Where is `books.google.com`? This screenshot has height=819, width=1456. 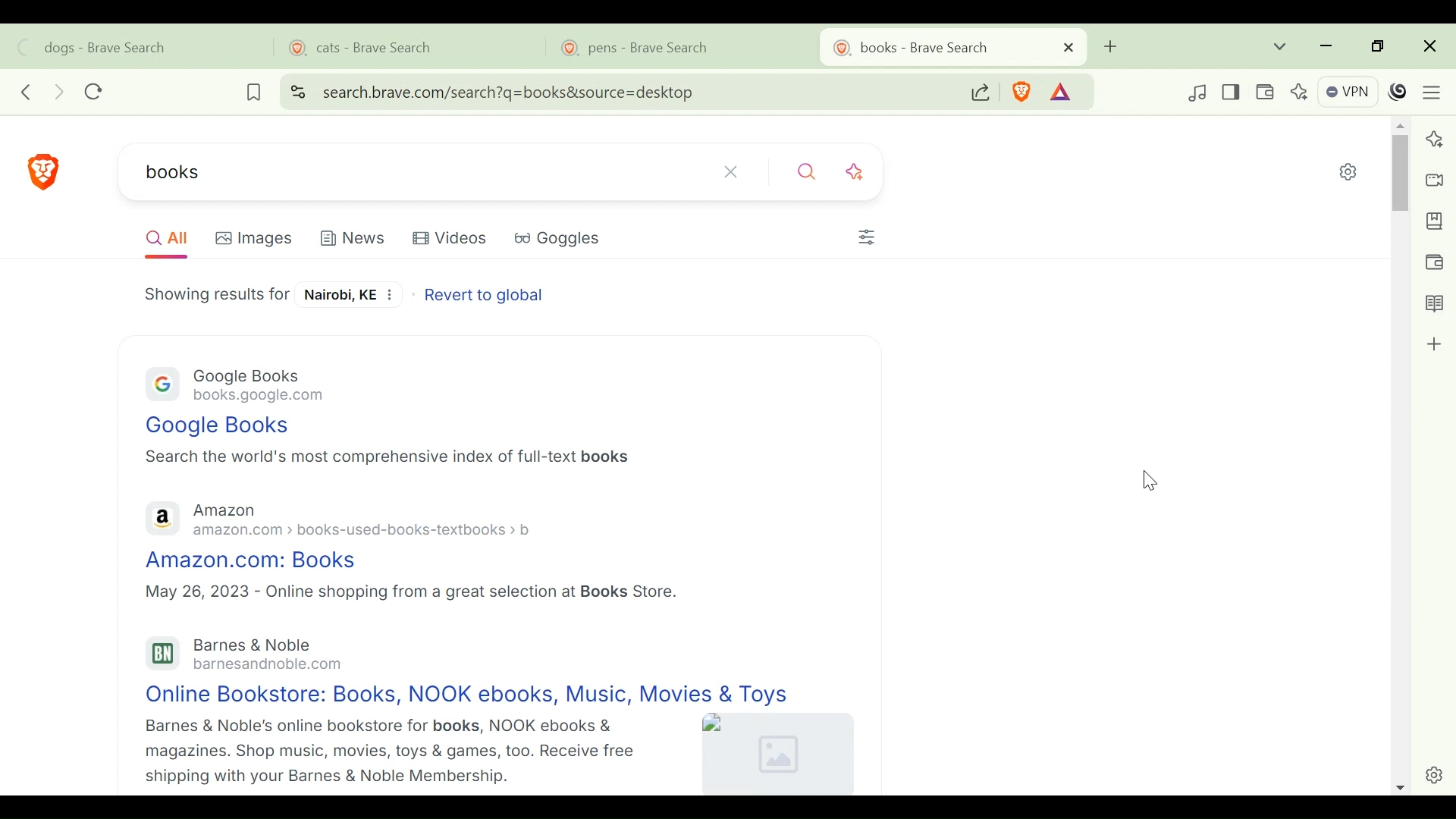
books.google.com is located at coordinates (268, 397).